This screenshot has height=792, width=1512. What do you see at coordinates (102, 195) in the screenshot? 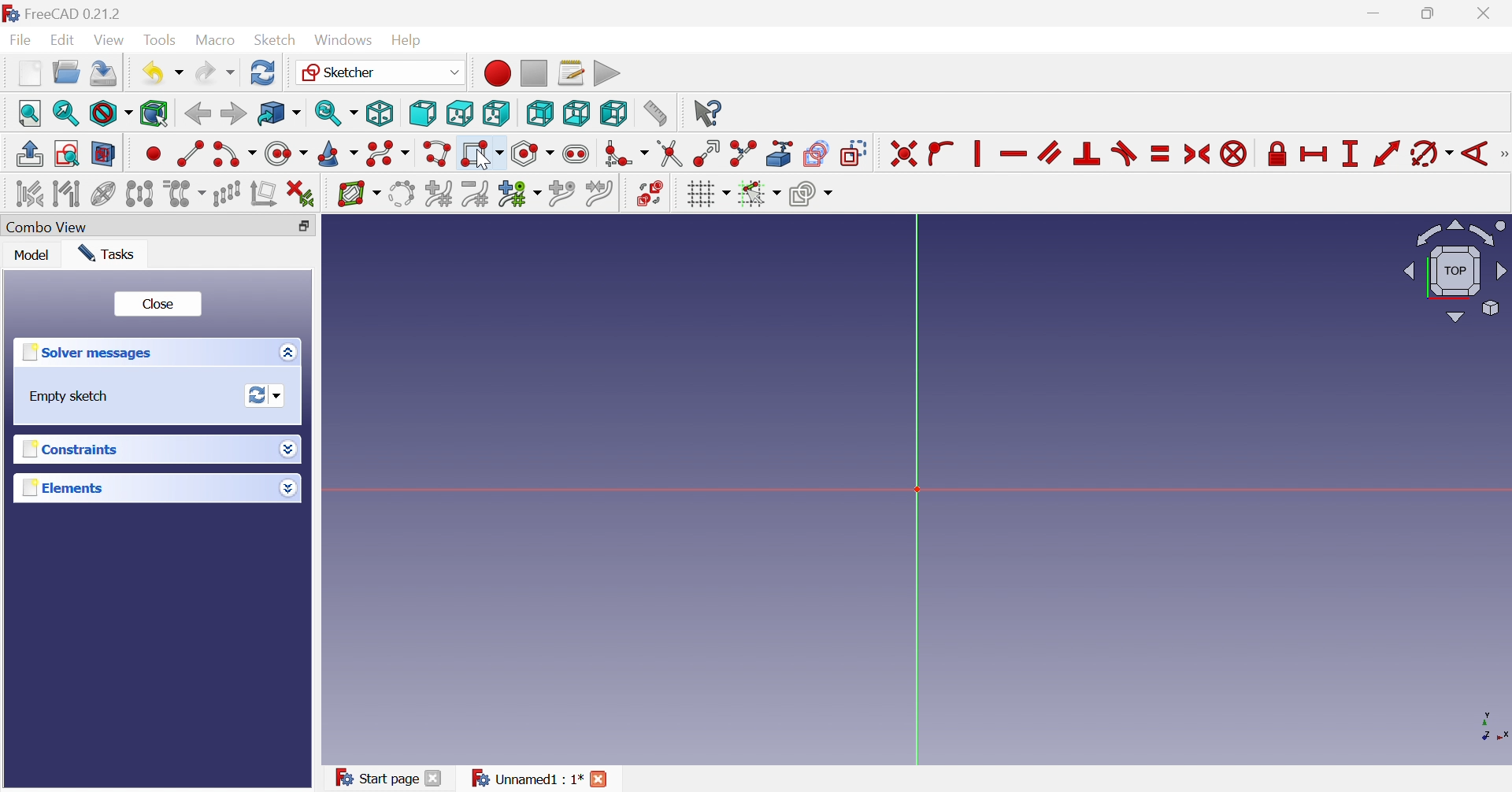
I see `Show/hide internal geometry` at bounding box center [102, 195].